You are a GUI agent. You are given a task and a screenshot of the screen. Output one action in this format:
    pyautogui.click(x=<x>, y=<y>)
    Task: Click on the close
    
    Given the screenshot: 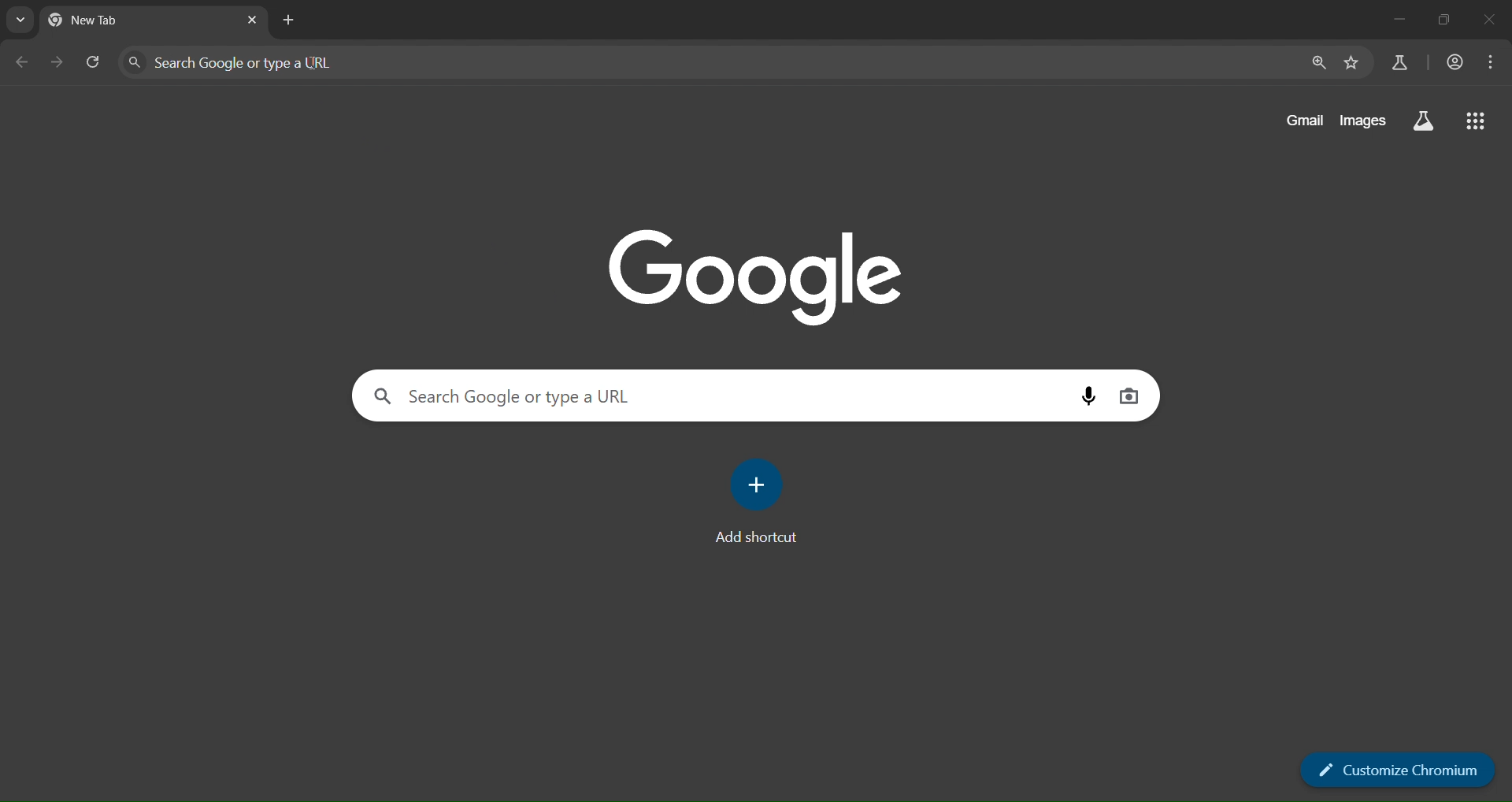 What is the action you would take?
    pyautogui.click(x=1491, y=22)
    